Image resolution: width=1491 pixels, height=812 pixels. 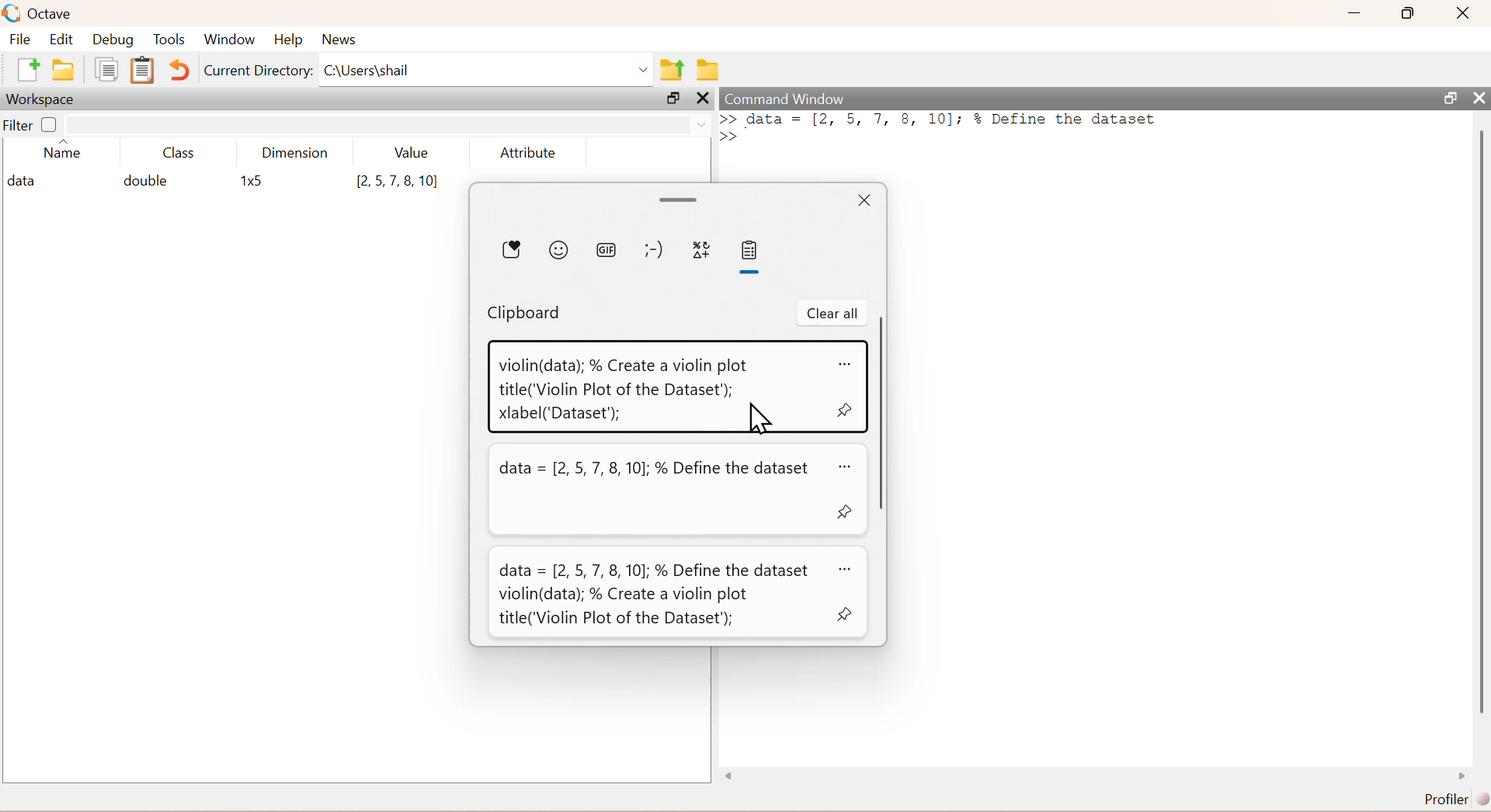 What do you see at coordinates (171, 39) in the screenshot?
I see `tools` at bounding box center [171, 39].